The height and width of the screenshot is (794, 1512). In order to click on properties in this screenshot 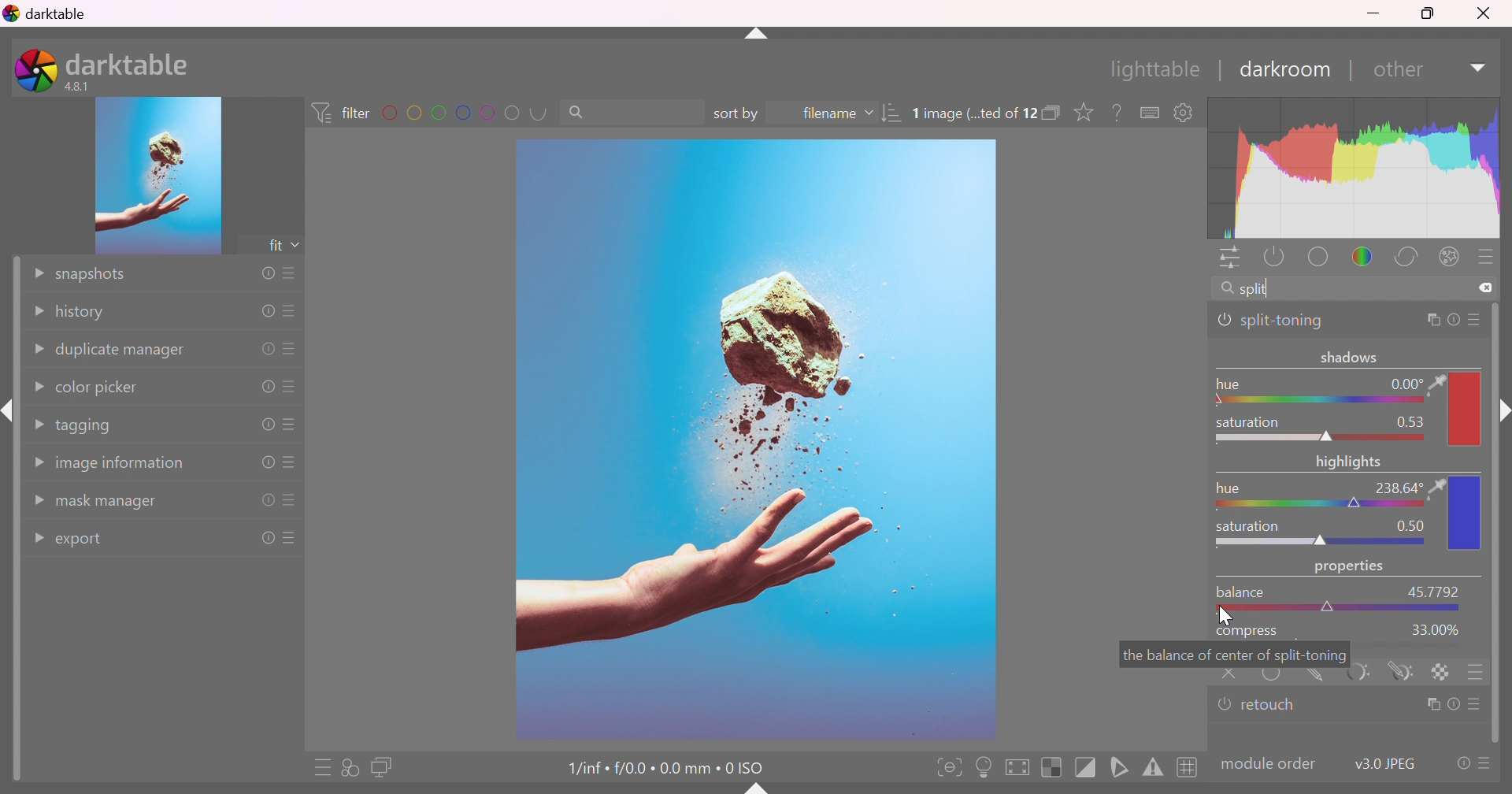, I will do `click(1352, 566)`.